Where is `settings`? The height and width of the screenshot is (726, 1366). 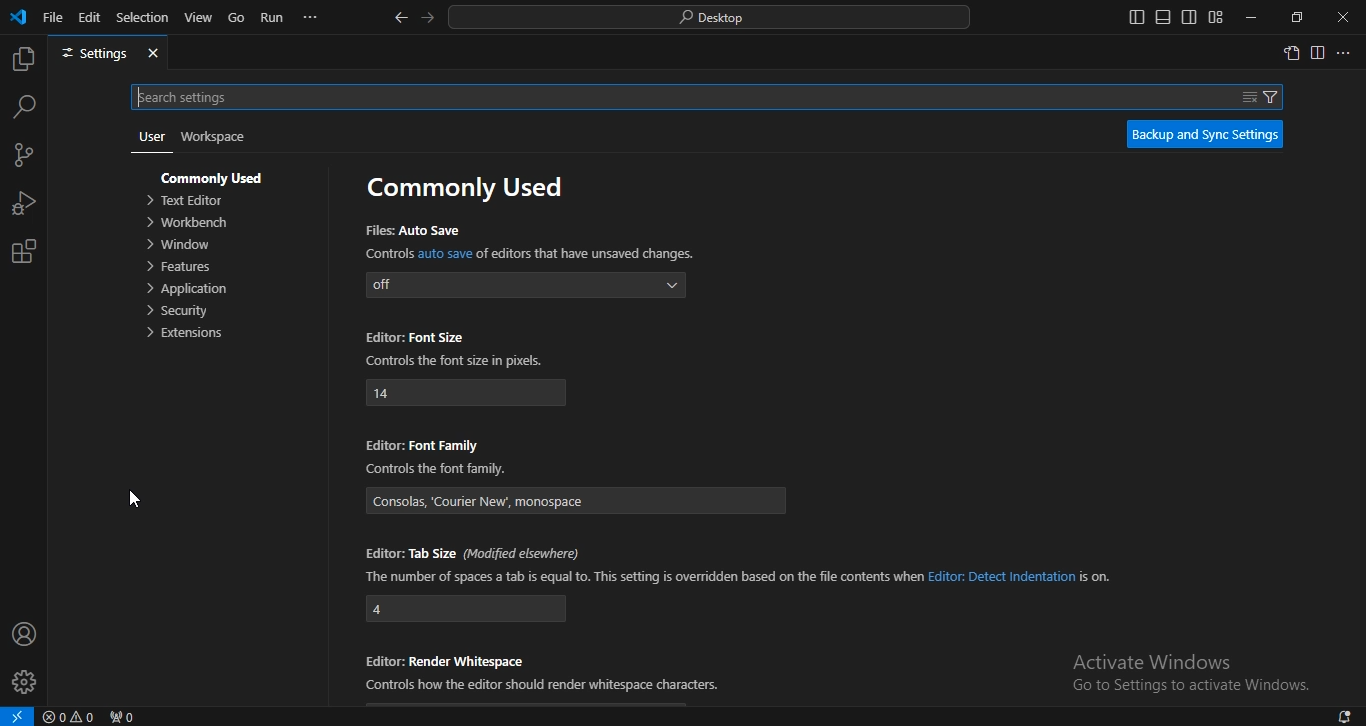 settings is located at coordinates (23, 682).